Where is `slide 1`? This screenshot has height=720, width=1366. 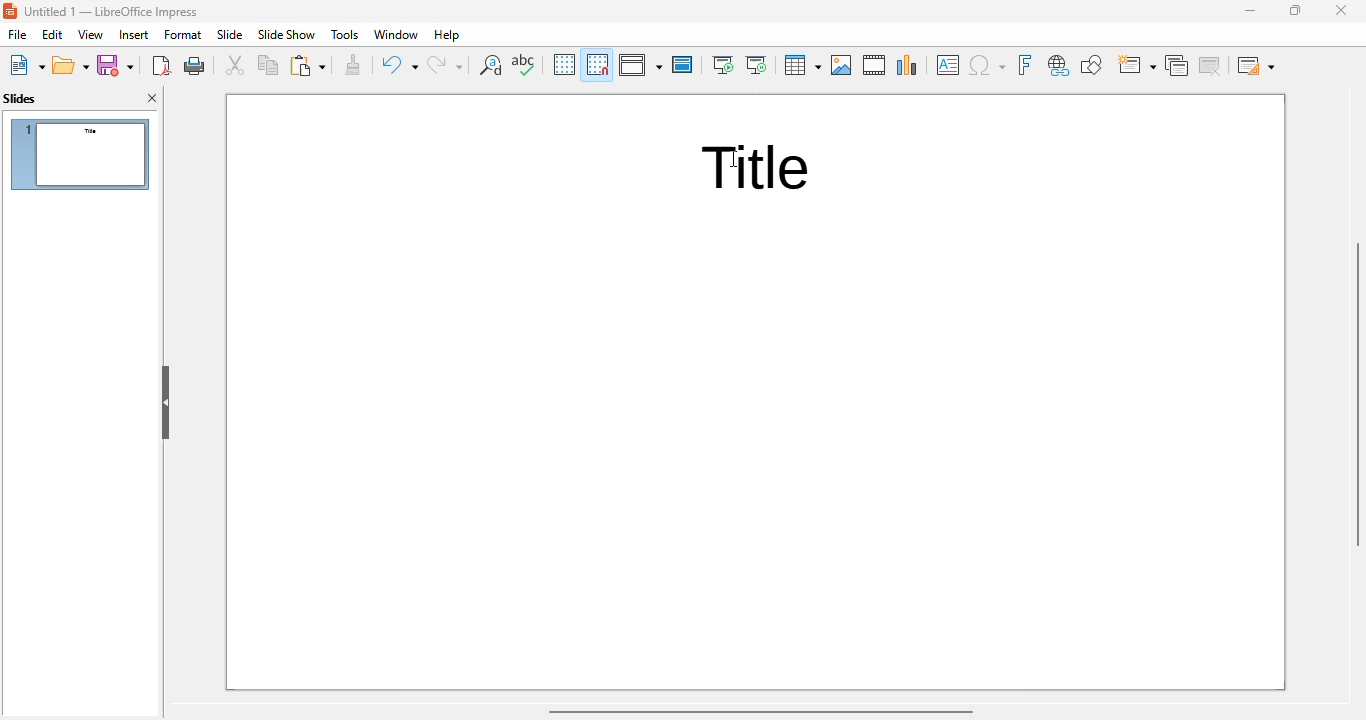
slide 1 is located at coordinates (80, 155).